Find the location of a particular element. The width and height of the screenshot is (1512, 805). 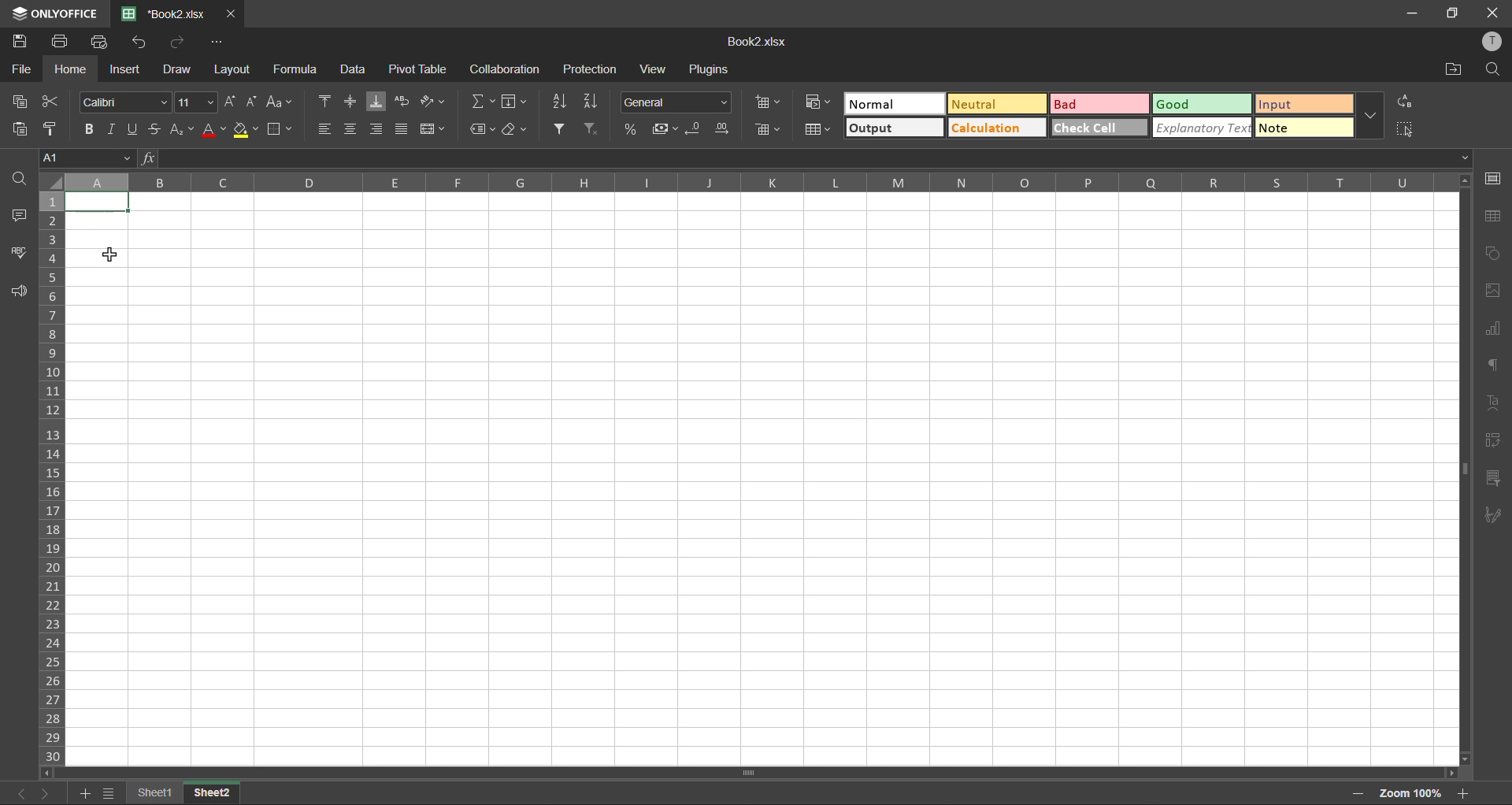

check cell is located at coordinates (1098, 128).